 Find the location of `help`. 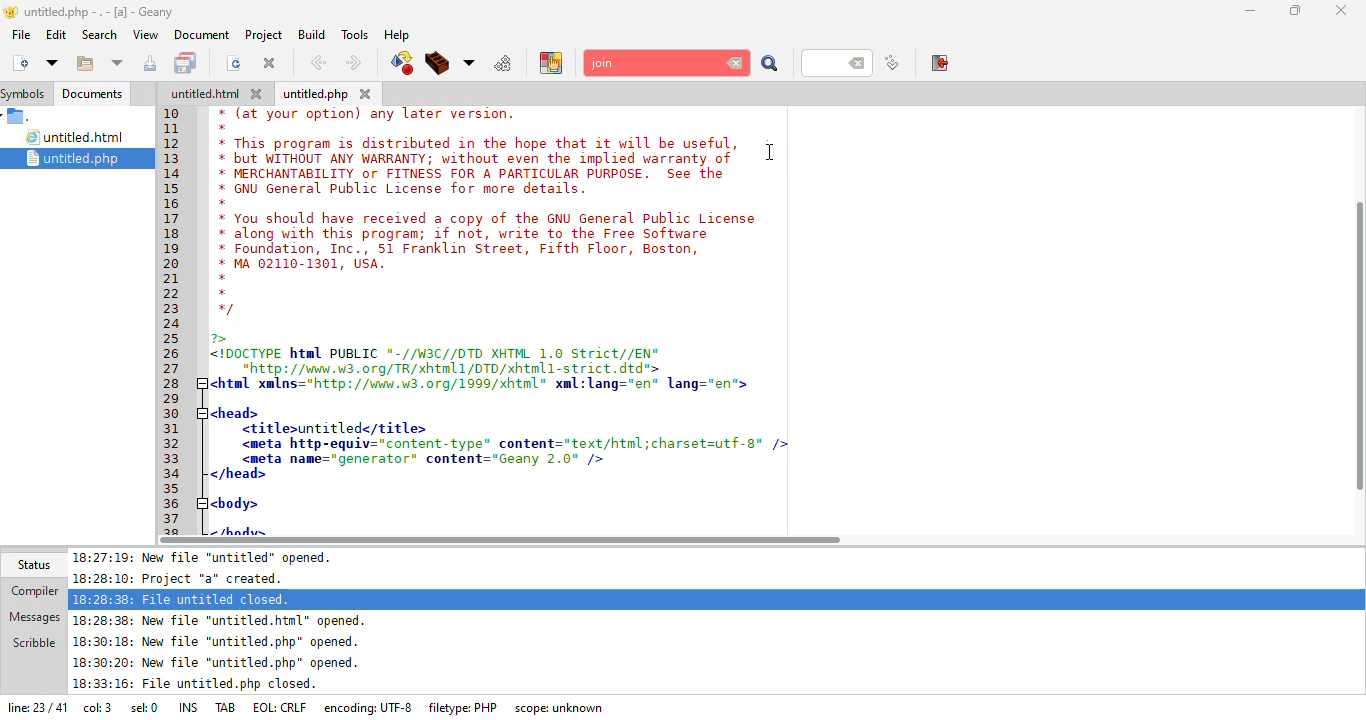

help is located at coordinates (396, 35).